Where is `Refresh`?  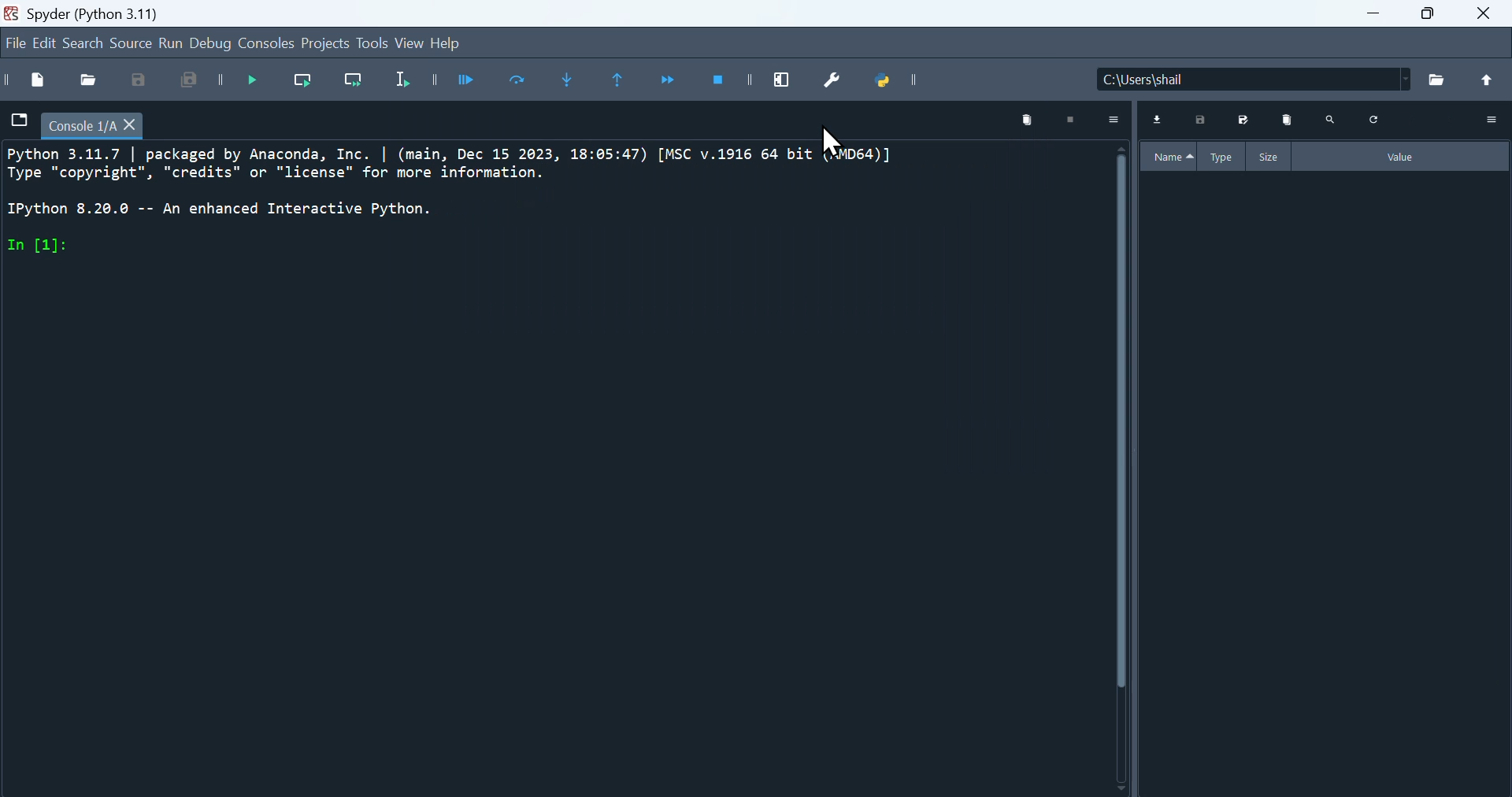 Refresh is located at coordinates (1371, 117).